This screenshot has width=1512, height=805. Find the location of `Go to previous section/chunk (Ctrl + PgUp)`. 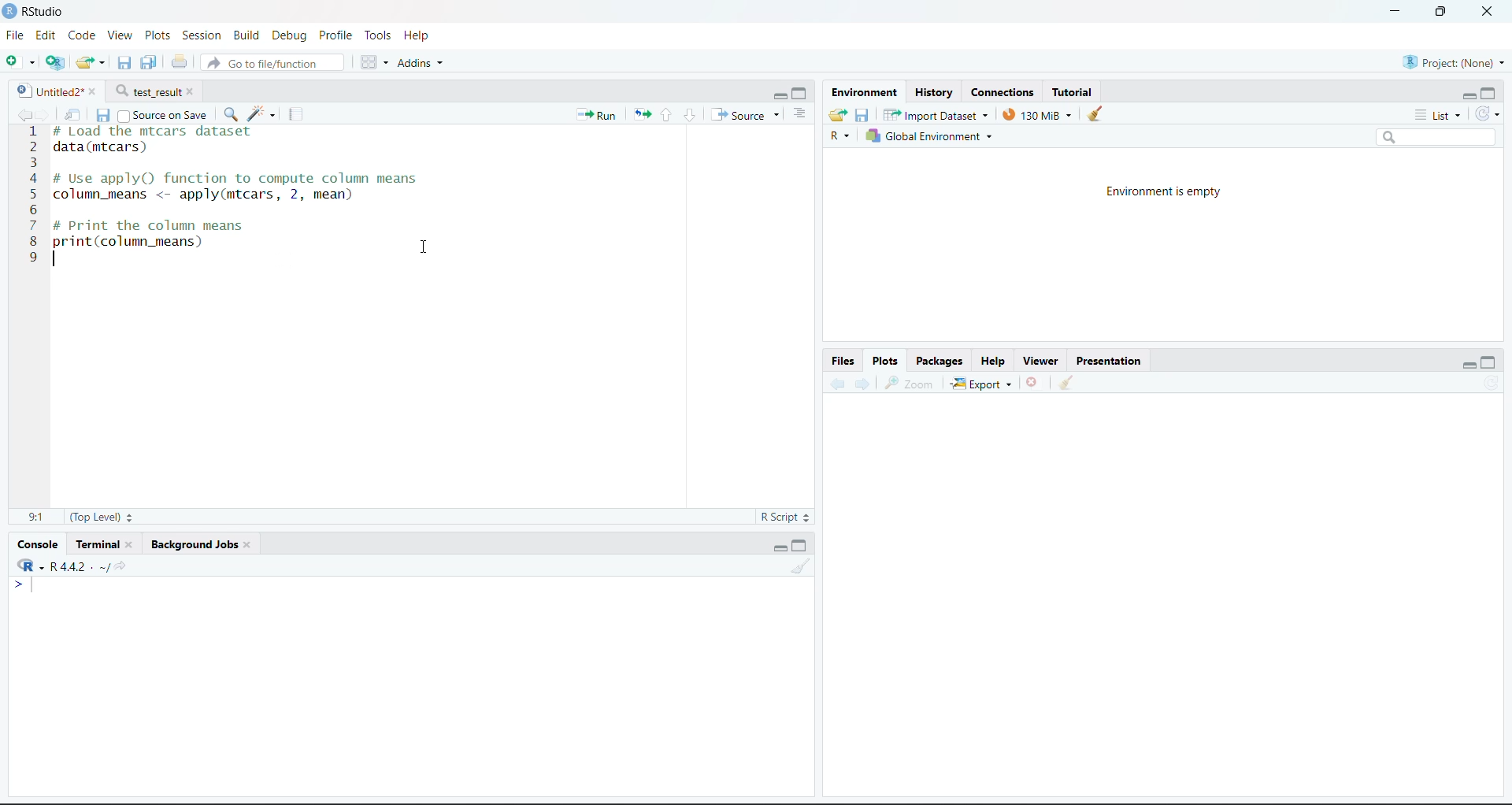

Go to previous section/chunk (Ctrl + PgUp) is located at coordinates (669, 117).